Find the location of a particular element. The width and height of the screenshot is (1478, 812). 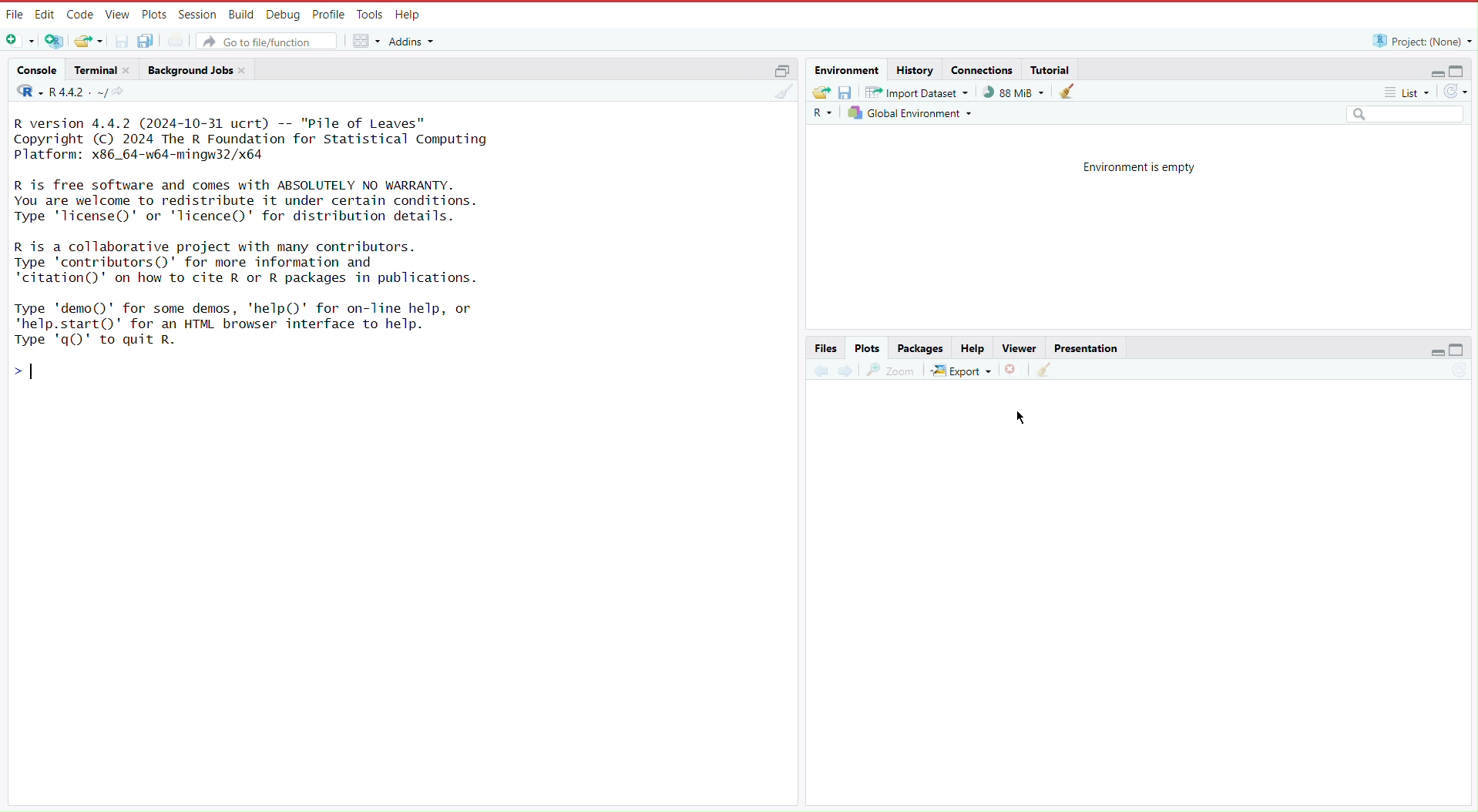

Viewer is located at coordinates (1017, 348).